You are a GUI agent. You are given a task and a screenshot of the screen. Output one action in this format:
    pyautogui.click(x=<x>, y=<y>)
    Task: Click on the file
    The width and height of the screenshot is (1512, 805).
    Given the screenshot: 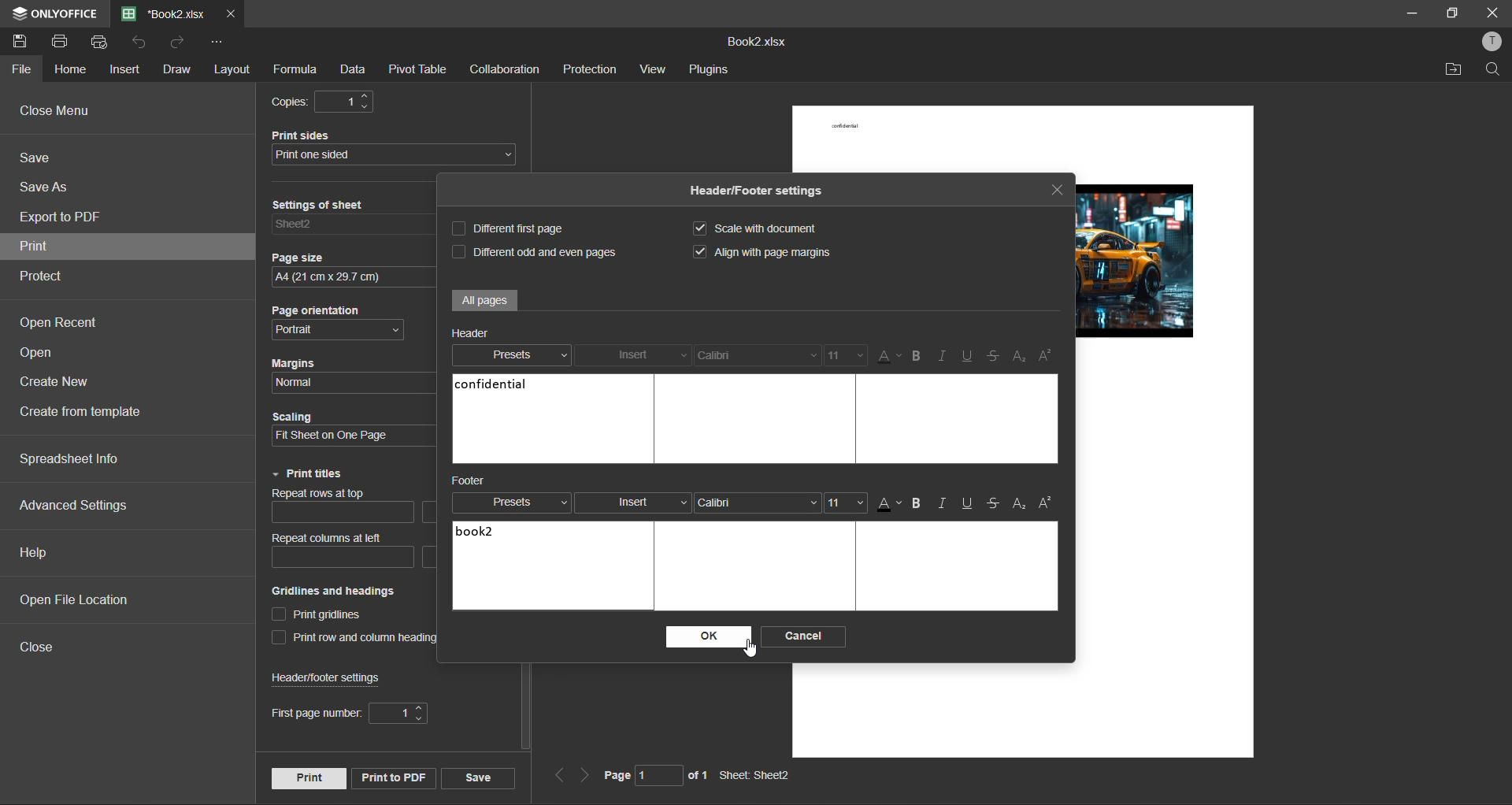 What is the action you would take?
    pyautogui.click(x=20, y=70)
    